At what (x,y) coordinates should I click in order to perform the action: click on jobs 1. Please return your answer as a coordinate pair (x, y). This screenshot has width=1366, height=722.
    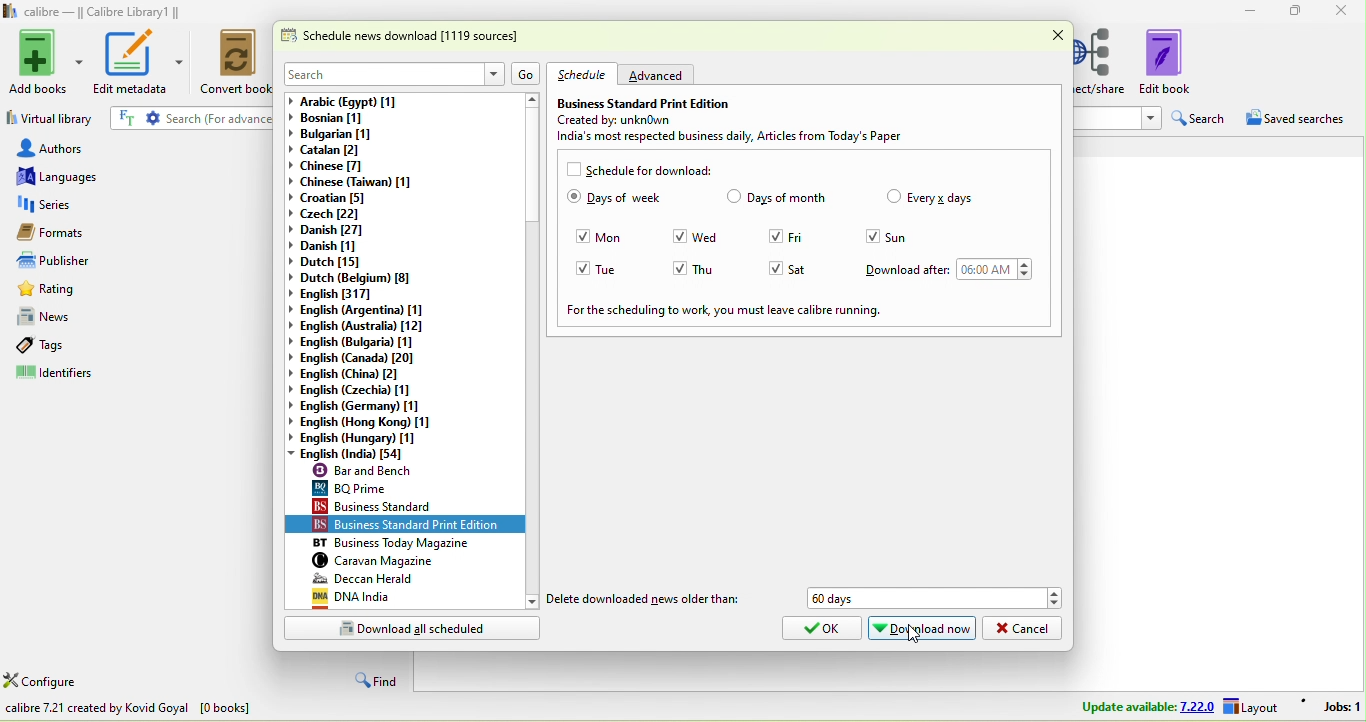
    Looking at the image, I should click on (1330, 706).